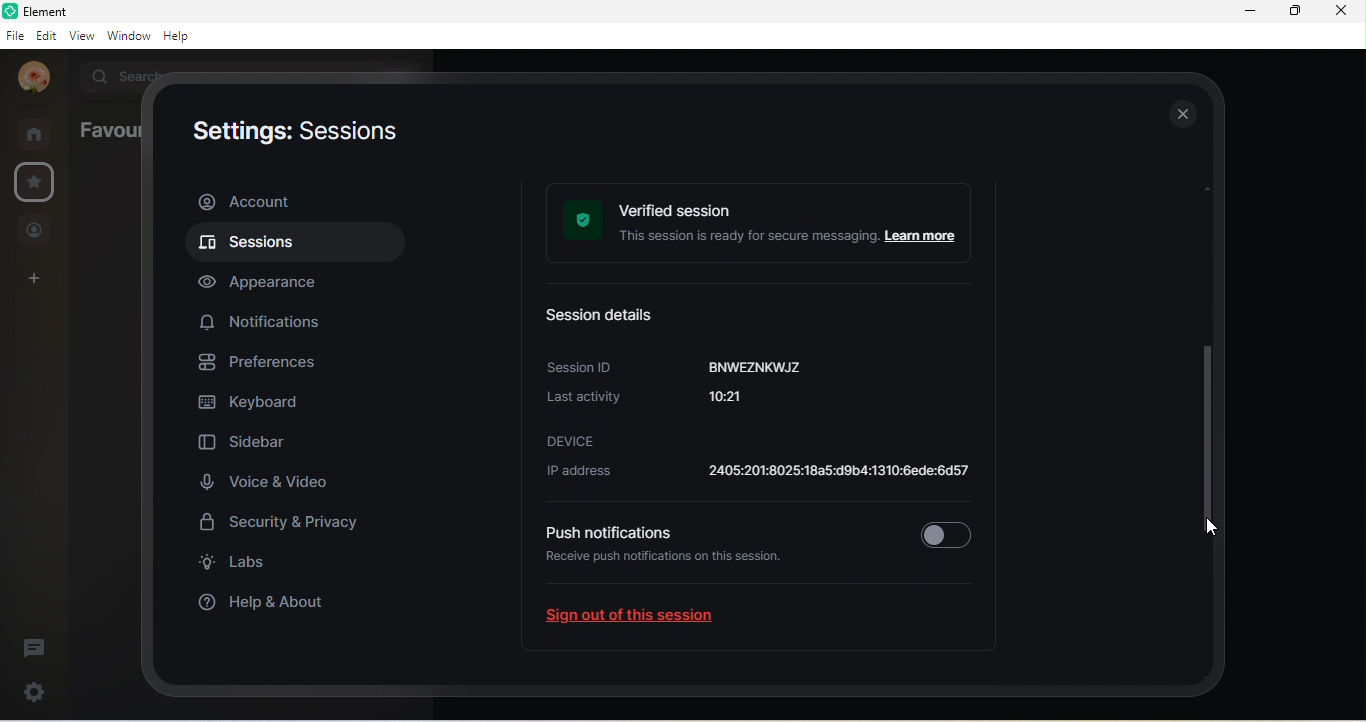  What do you see at coordinates (265, 481) in the screenshot?
I see `voice and video` at bounding box center [265, 481].